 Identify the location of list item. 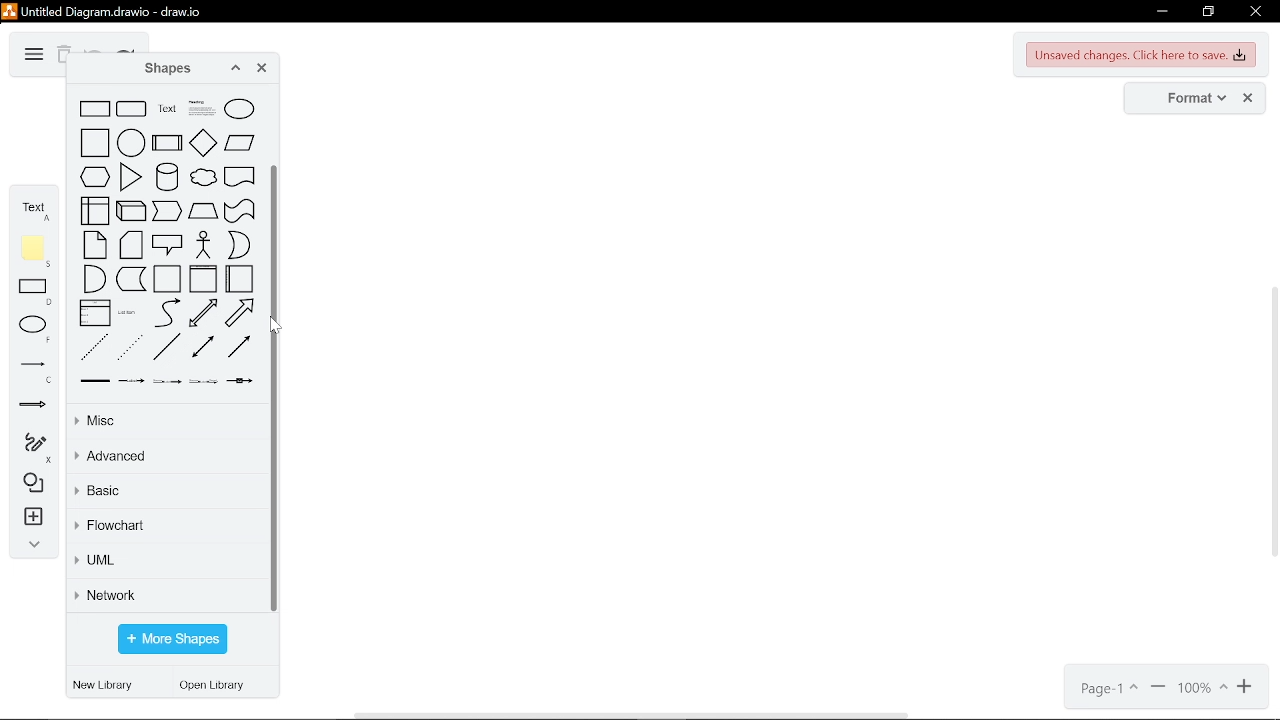
(127, 313).